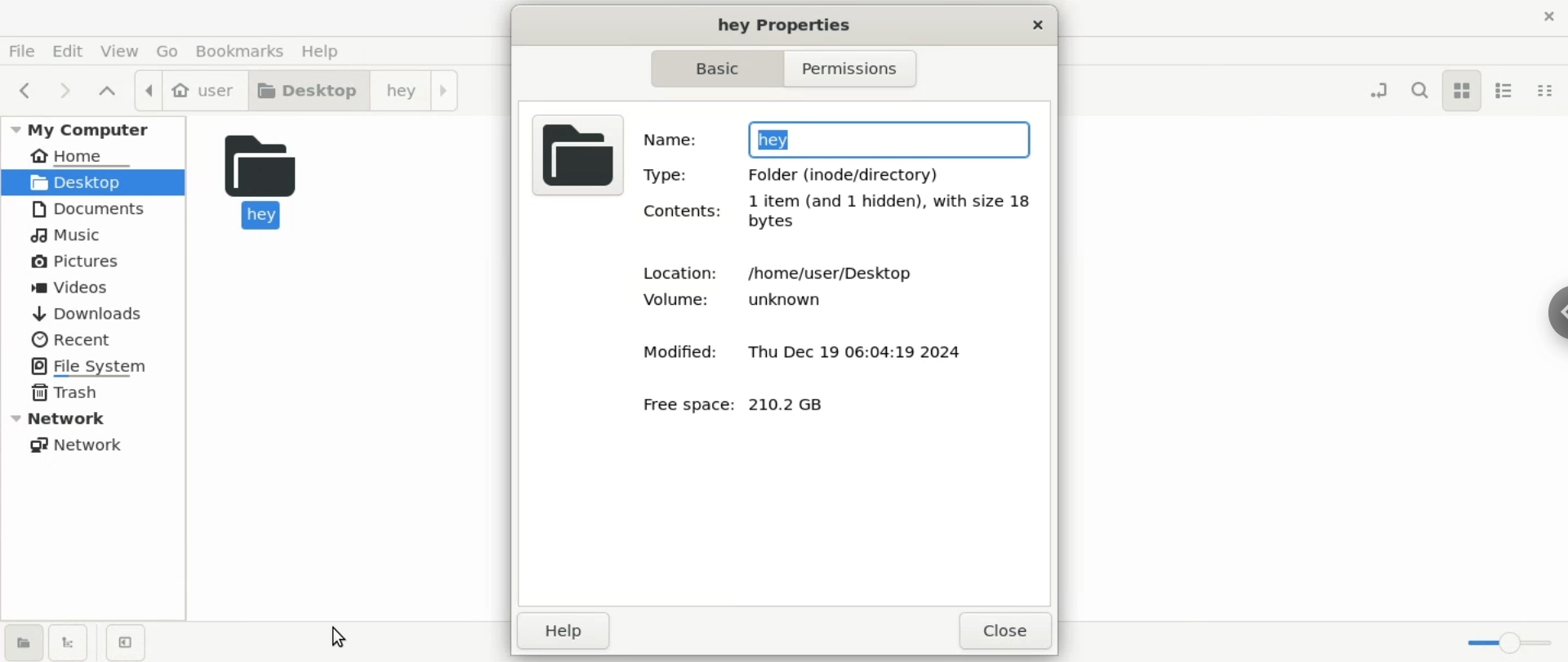  I want to click on trash, so click(93, 390).